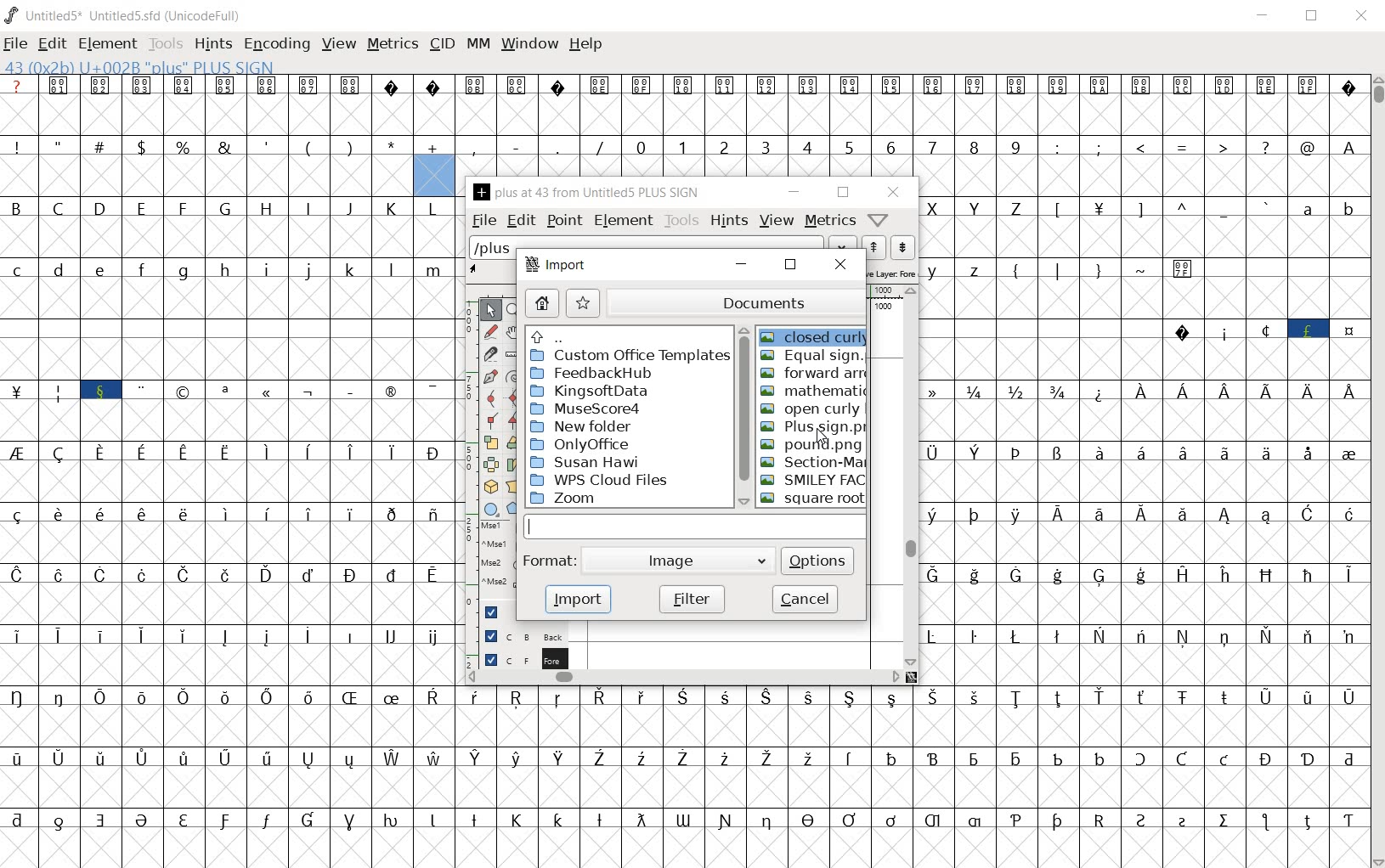 The image size is (1385, 868). What do you see at coordinates (813, 335) in the screenshot?
I see `CLOSED CURLY` at bounding box center [813, 335].